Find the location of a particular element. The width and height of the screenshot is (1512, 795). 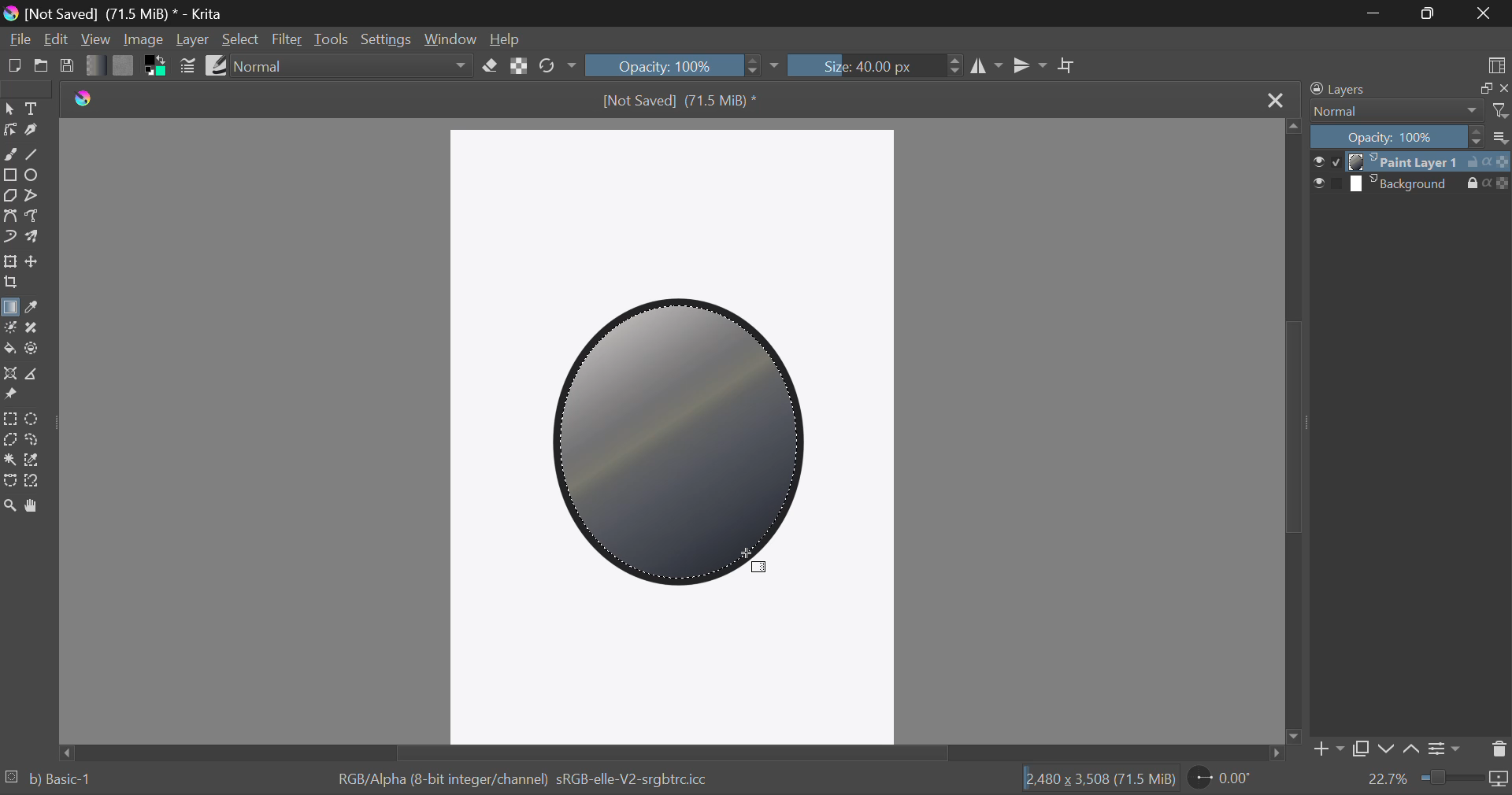

actions is located at coordinates (1488, 183).